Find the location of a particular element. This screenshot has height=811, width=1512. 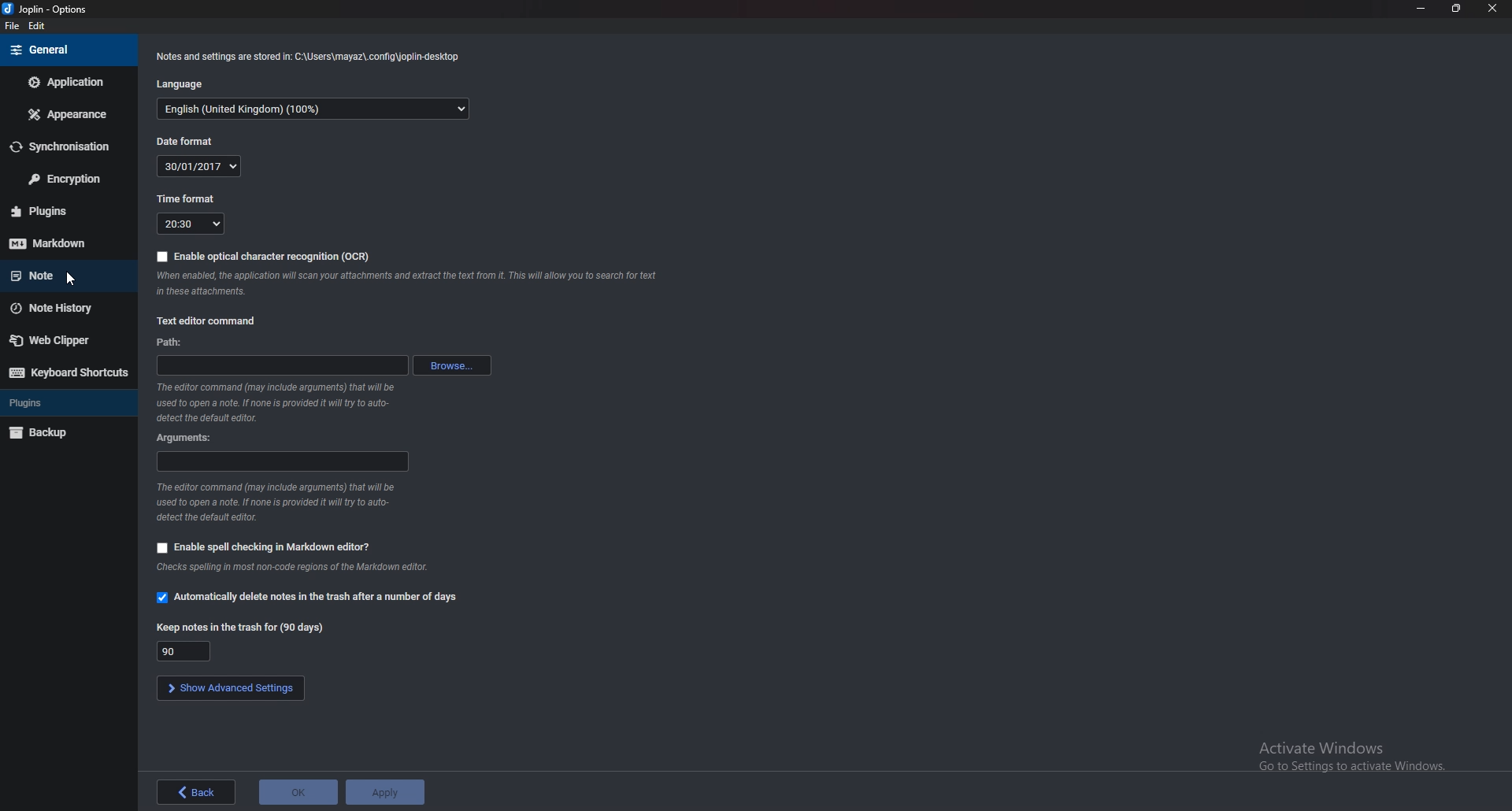

edit is located at coordinates (43, 28).